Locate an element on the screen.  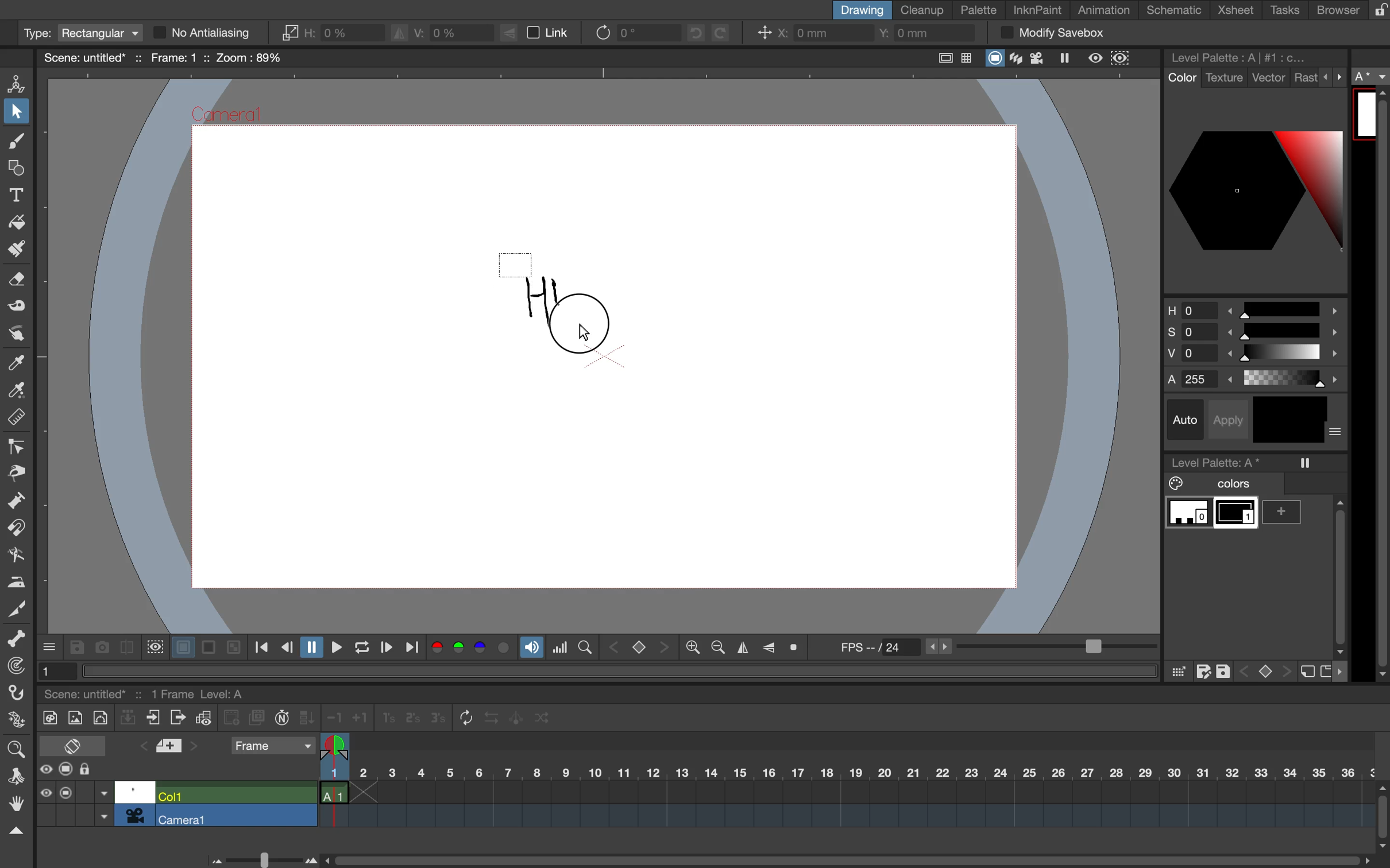
schematic is located at coordinates (1176, 10).